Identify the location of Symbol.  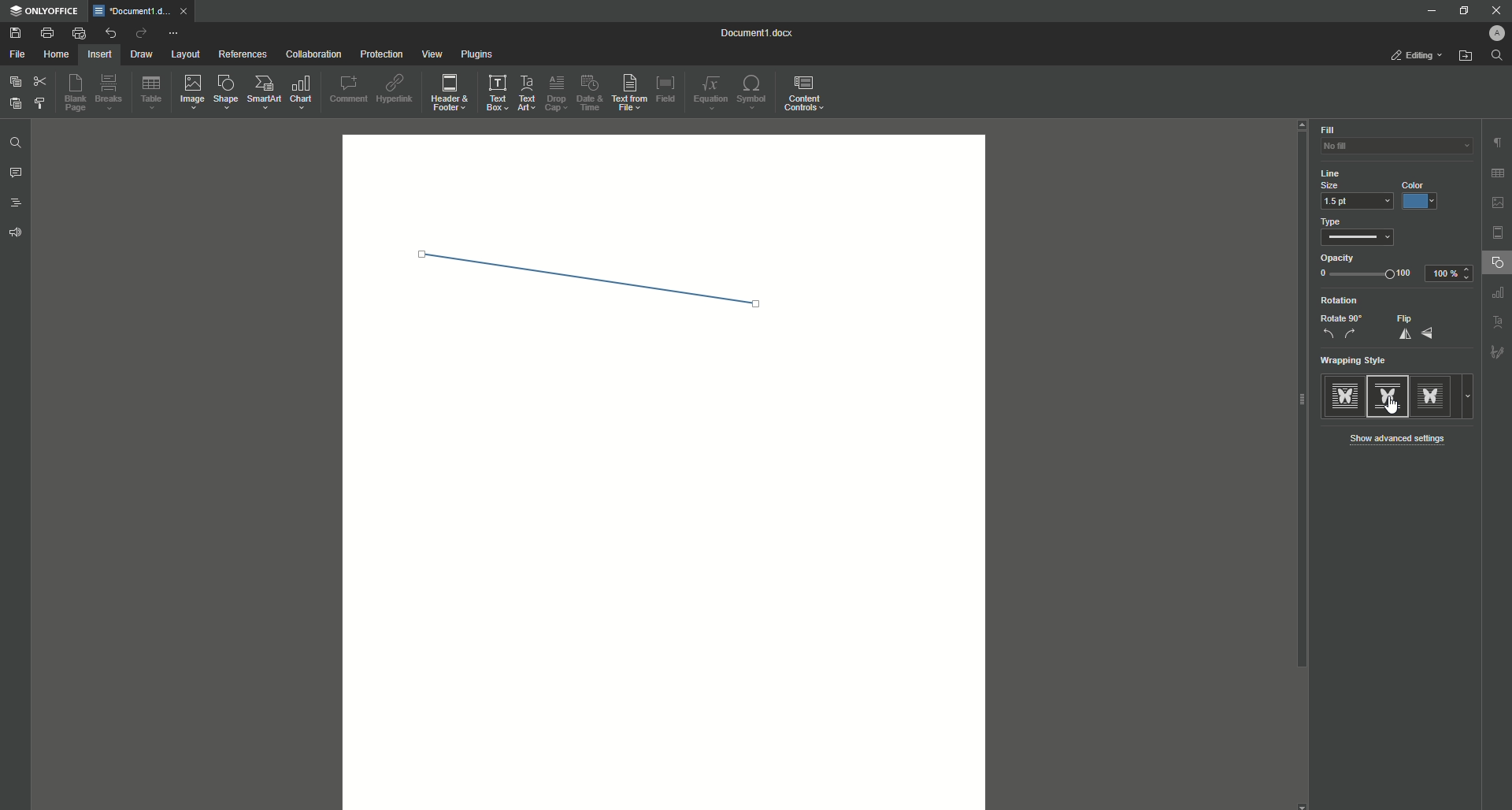
(754, 94).